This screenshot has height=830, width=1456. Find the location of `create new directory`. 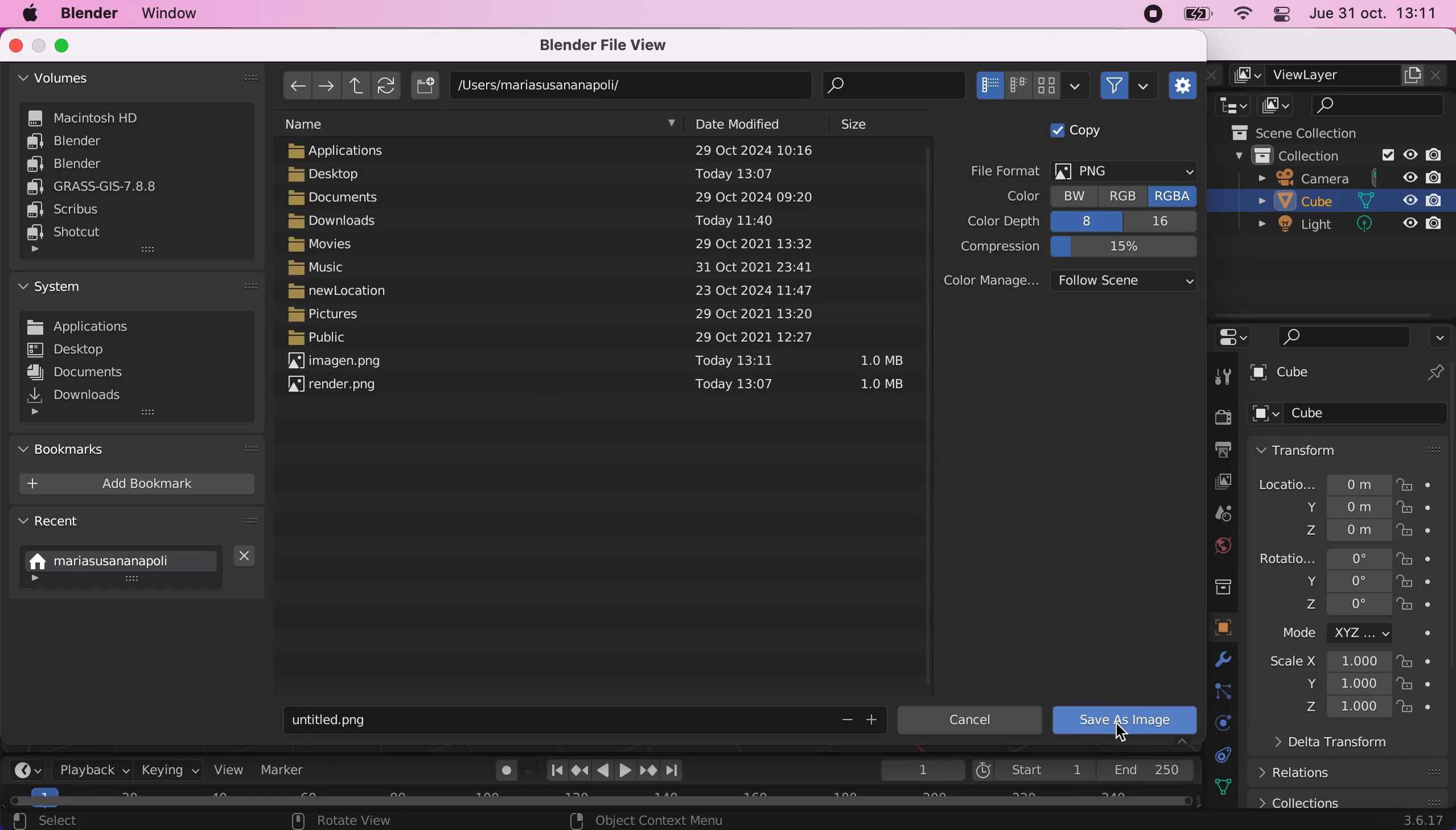

create new directory is located at coordinates (427, 86).